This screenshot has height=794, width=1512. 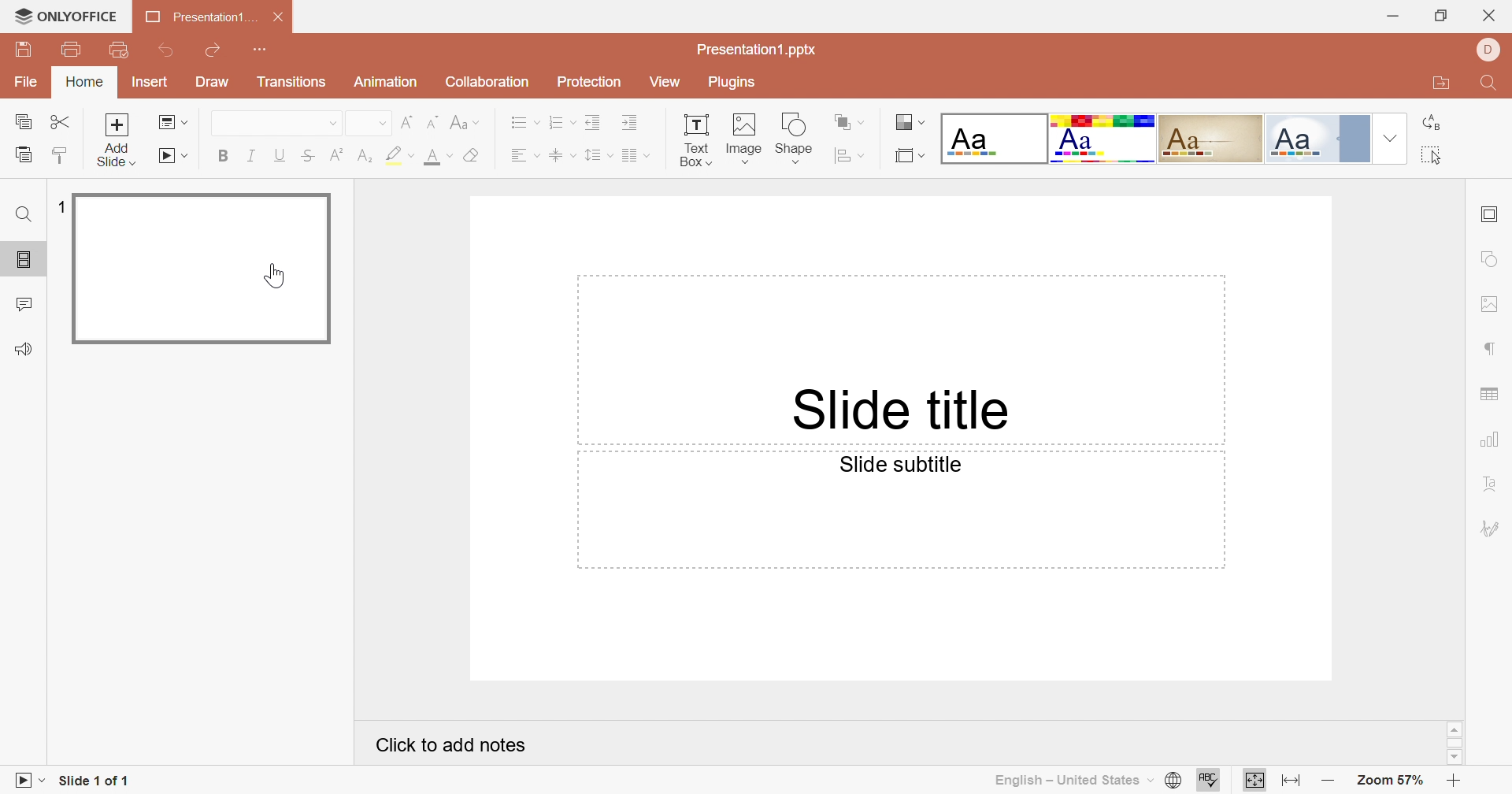 What do you see at coordinates (280, 15) in the screenshot?
I see `Close` at bounding box center [280, 15].